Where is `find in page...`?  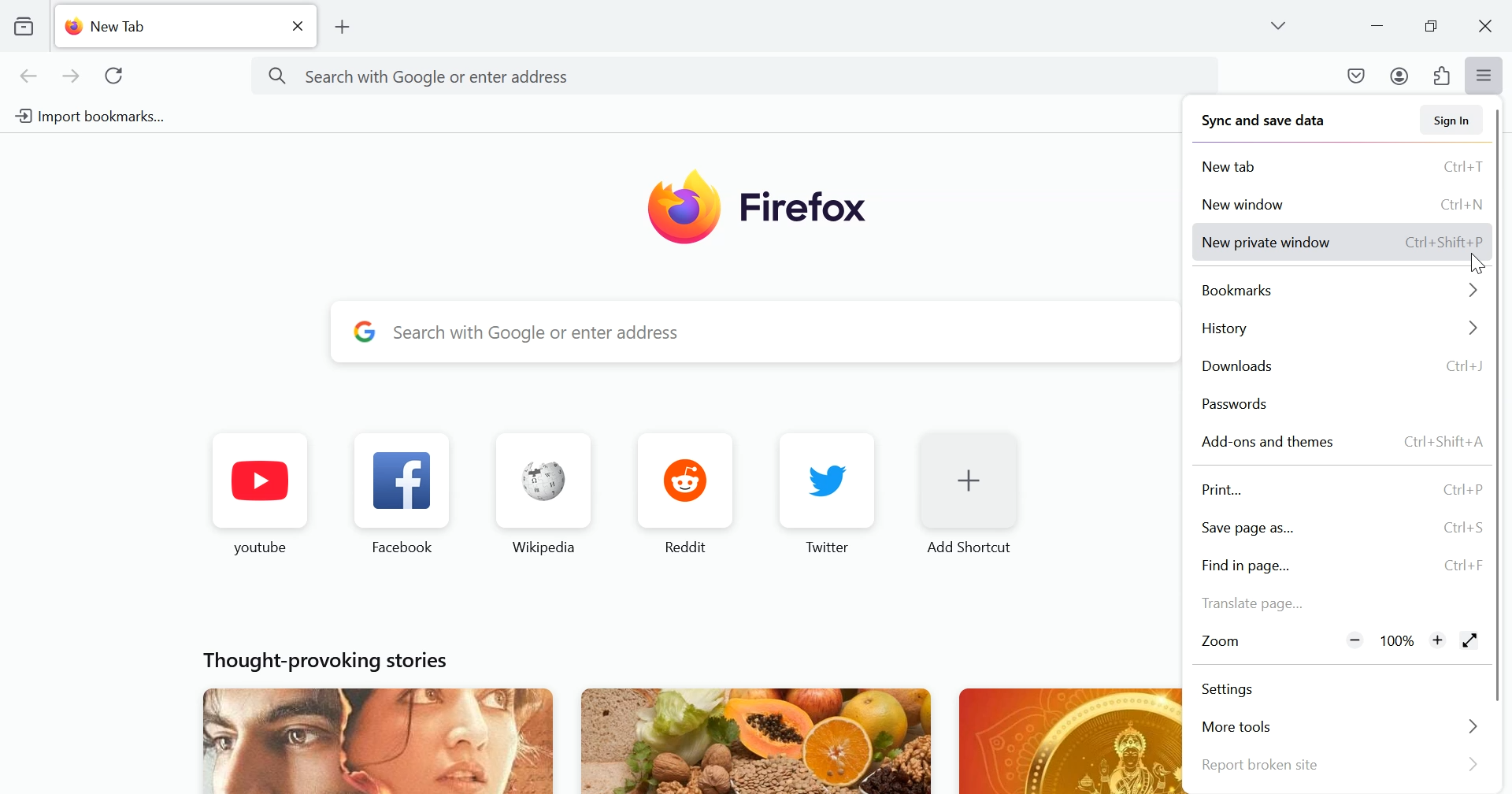
find in page... is located at coordinates (1340, 566).